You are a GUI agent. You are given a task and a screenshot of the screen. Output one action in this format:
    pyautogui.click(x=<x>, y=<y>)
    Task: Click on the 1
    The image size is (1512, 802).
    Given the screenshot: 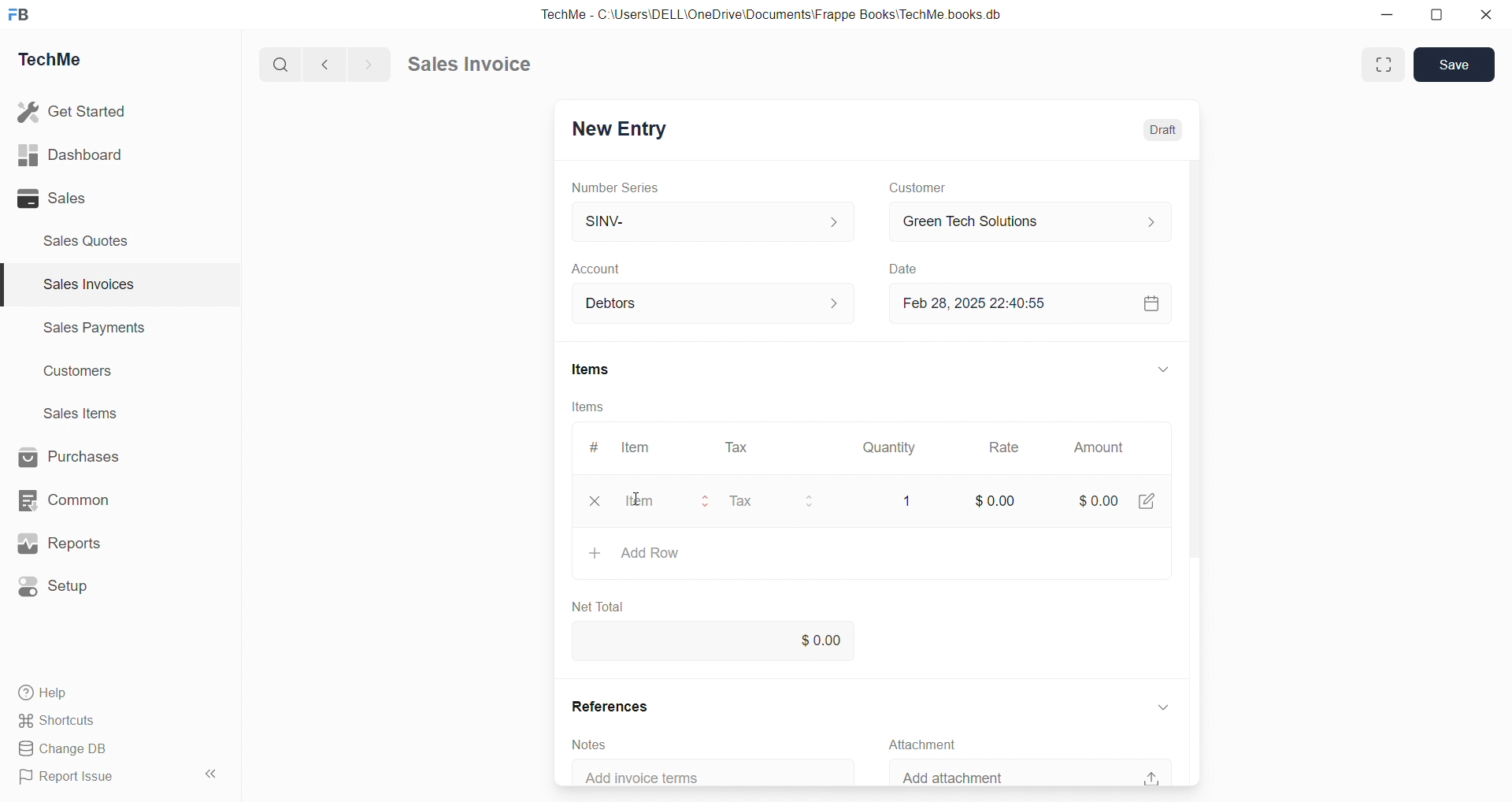 What is the action you would take?
    pyautogui.click(x=907, y=501)
    